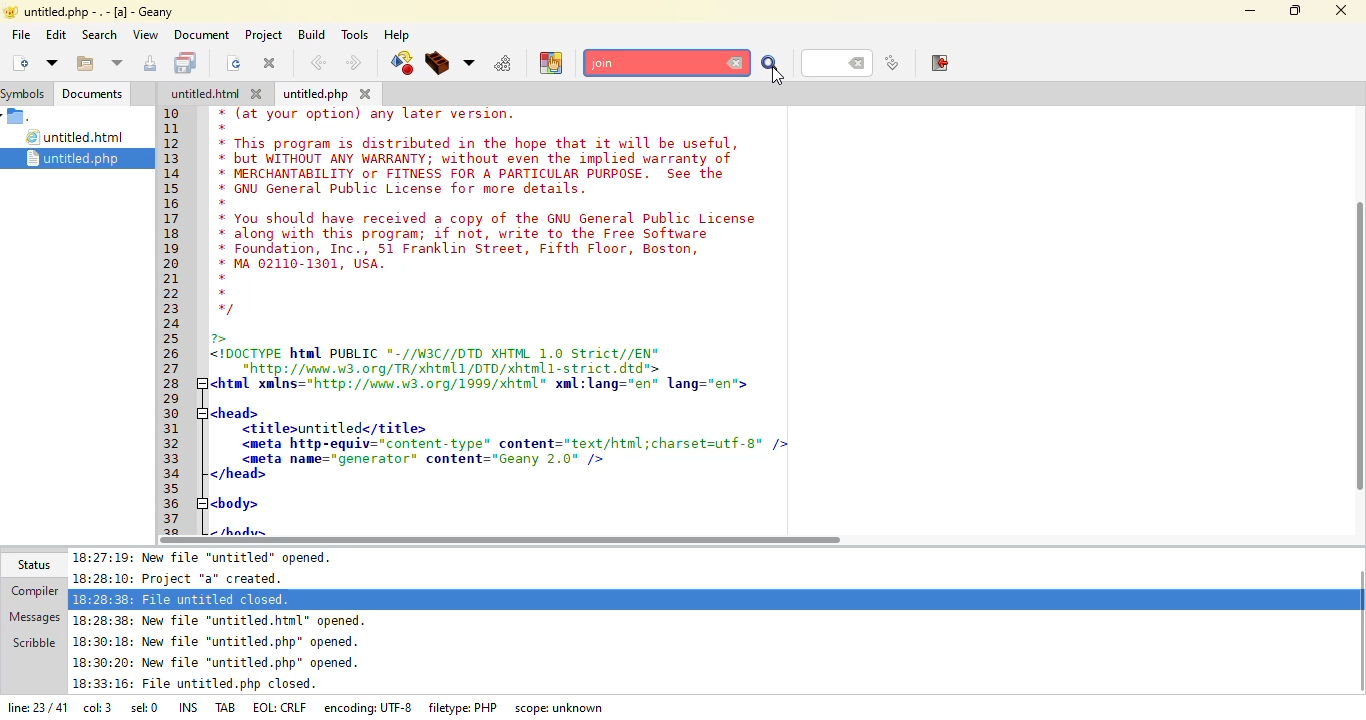  What do you see at coordinates (188, 63) in the screenshot?
I see `save` at bounding box center [188, 63].